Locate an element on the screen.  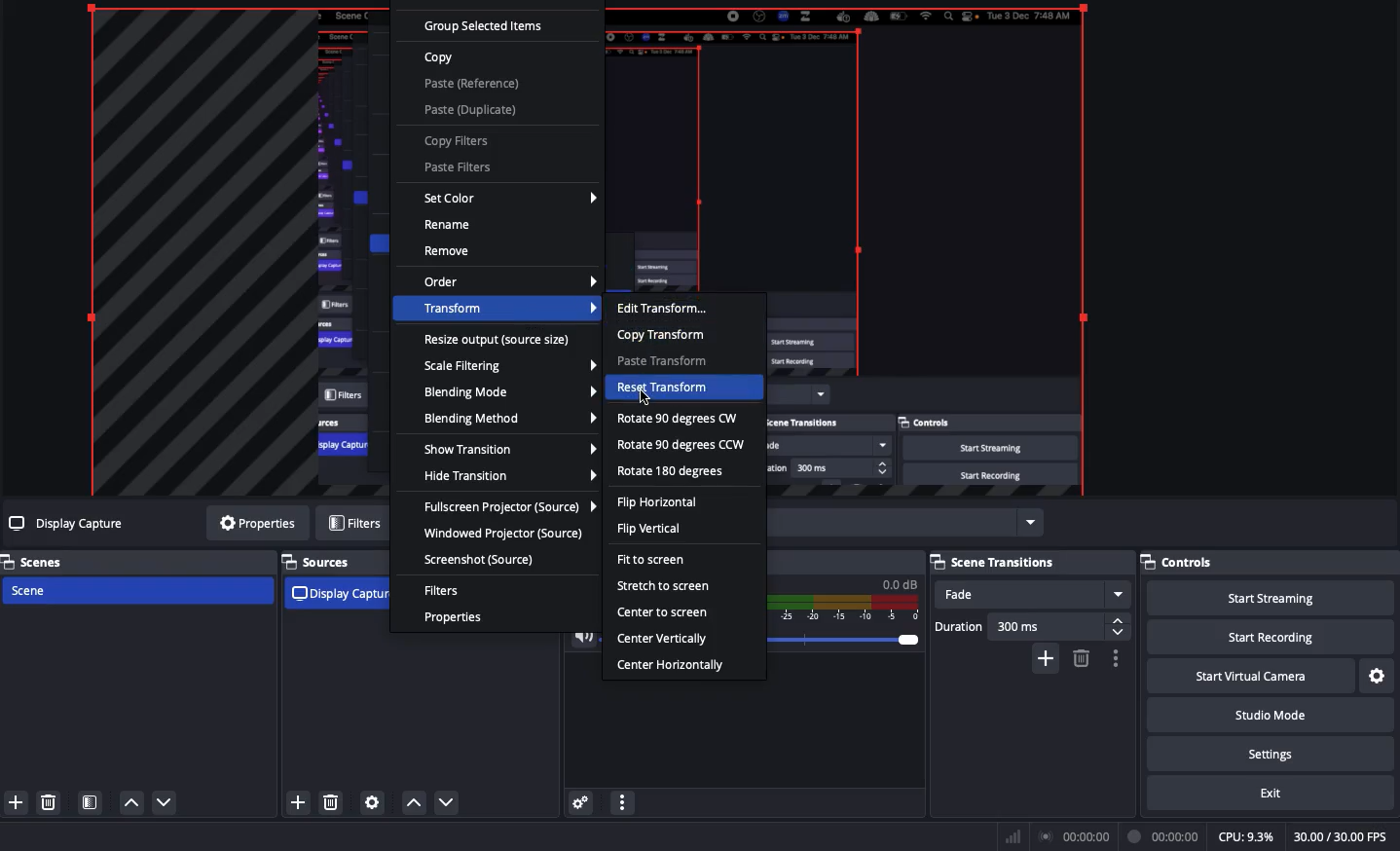
Display capture is located at coordinates (64, 527).